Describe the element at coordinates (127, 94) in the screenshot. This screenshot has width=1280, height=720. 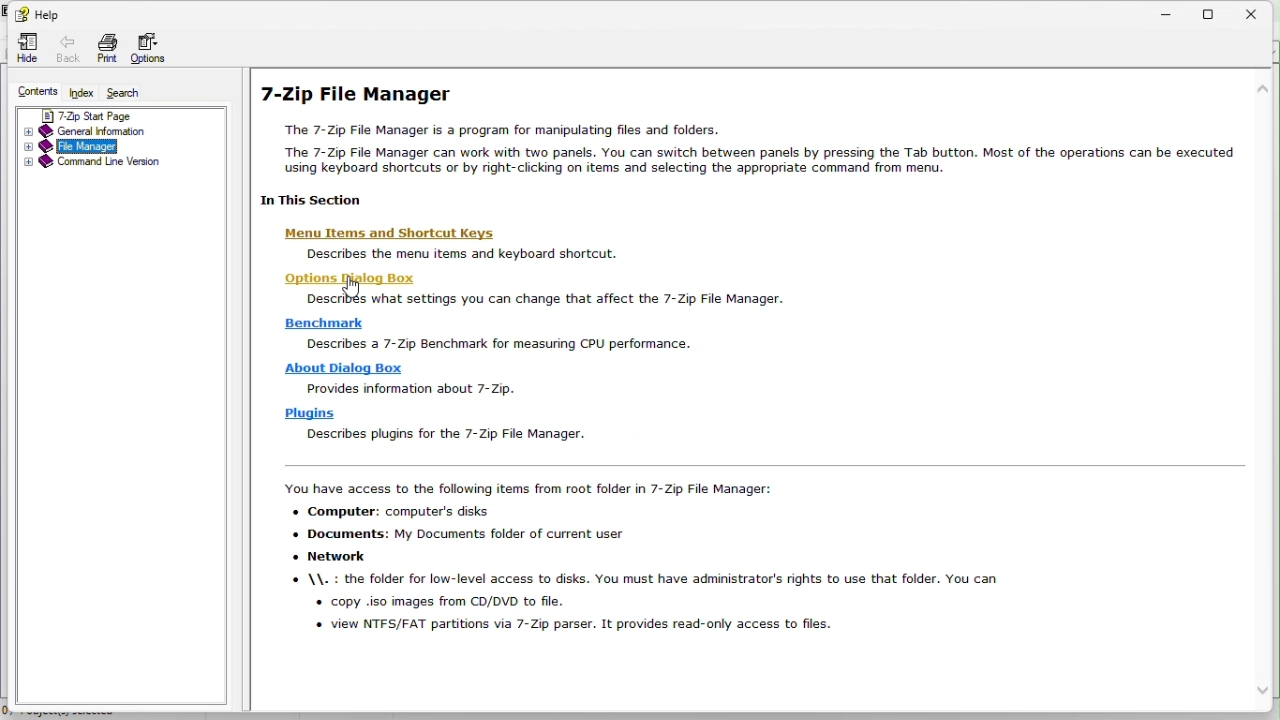
I see `Search` at that location.